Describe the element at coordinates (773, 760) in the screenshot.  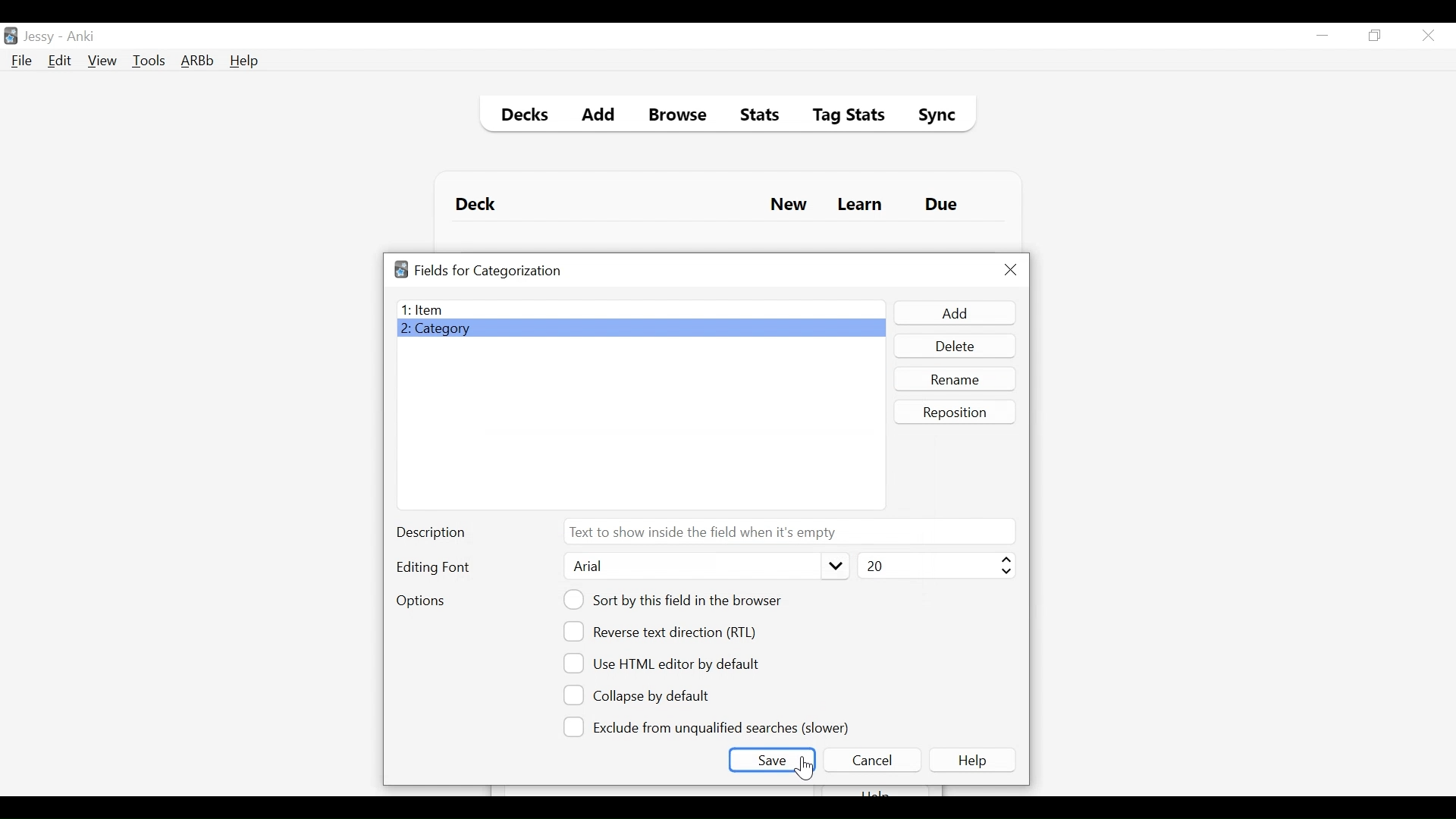
I see `Save` at that location.